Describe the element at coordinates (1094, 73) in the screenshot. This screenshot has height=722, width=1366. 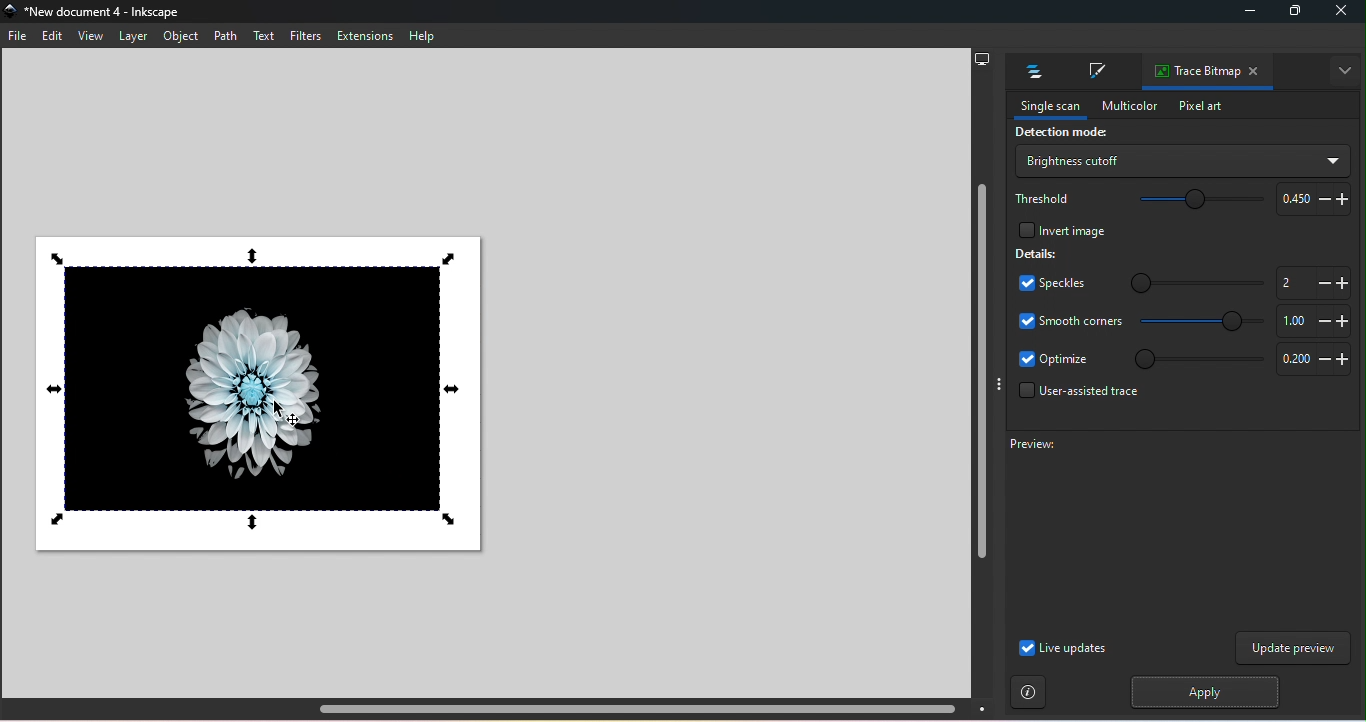
I see `Fill and stroke` at that location.